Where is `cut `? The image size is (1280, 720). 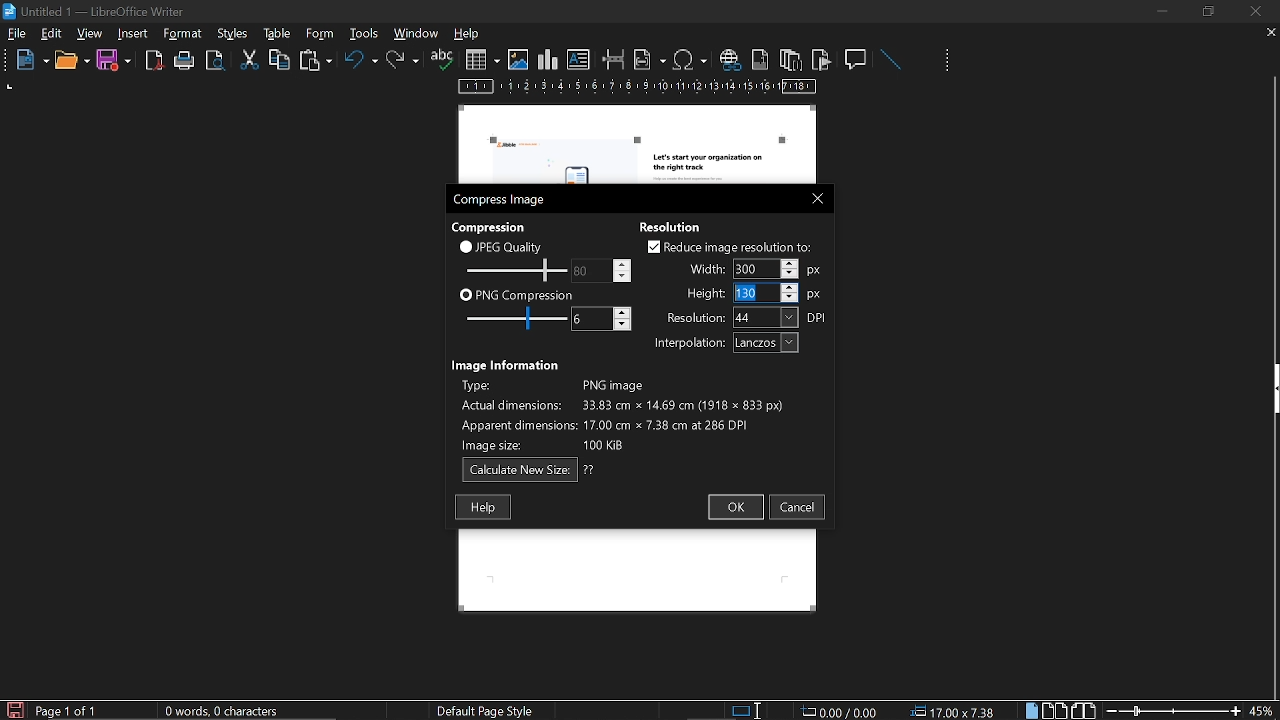 cut  is located at coordinates (250, 60).